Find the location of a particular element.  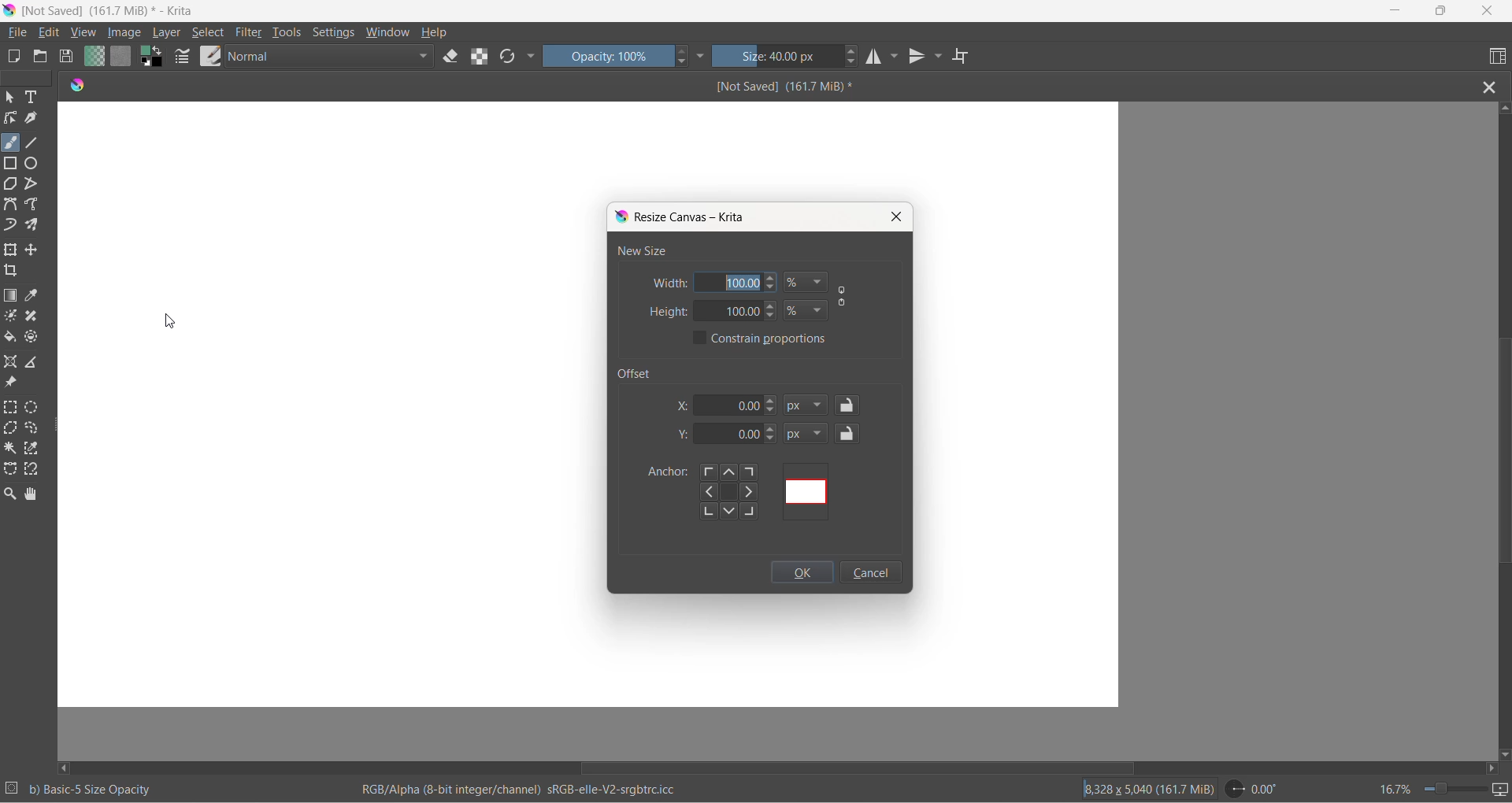

offset using mapping is located at coordinates (807, 491).